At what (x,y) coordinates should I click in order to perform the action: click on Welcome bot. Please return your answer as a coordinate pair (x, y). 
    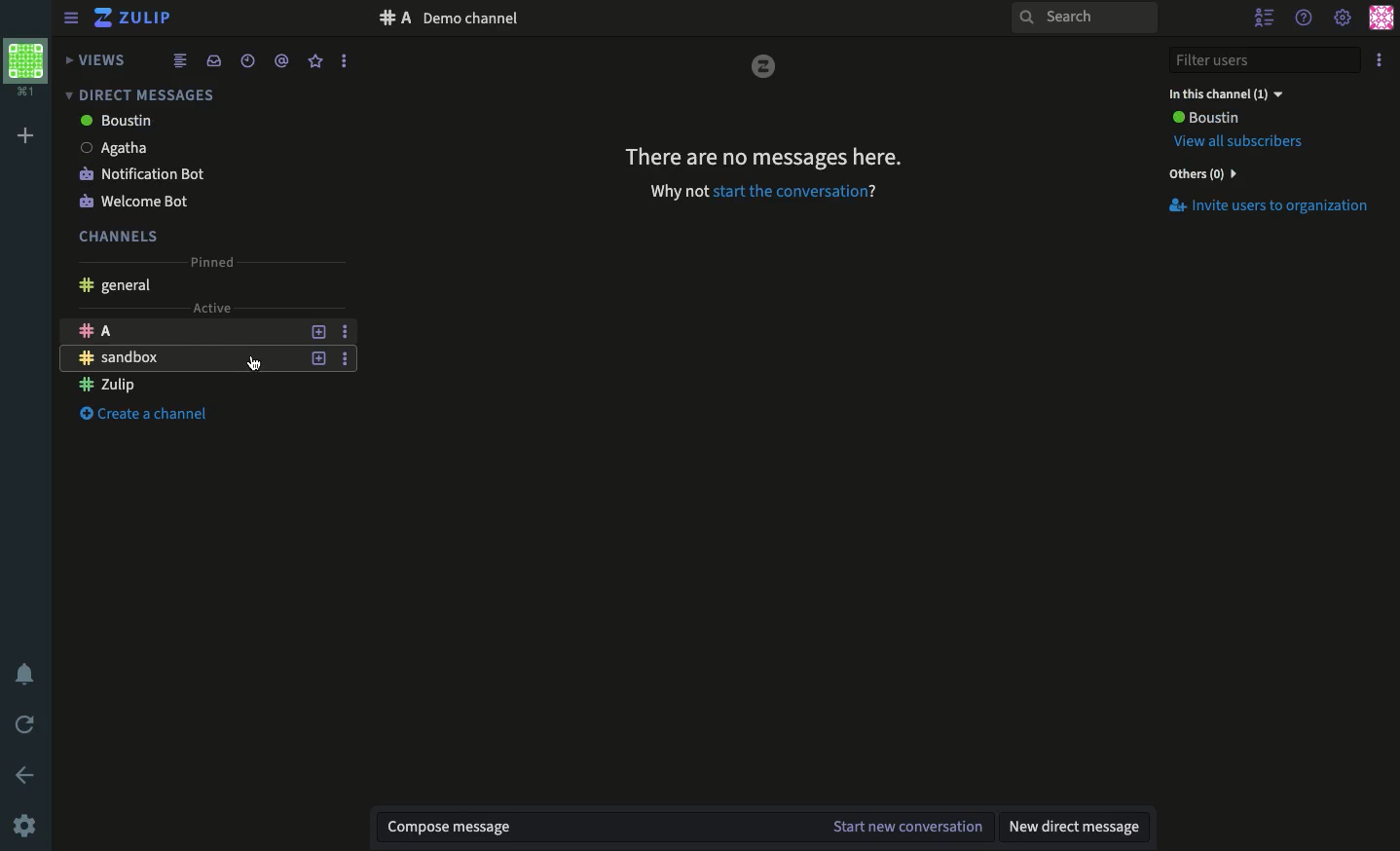
    Looking at the image, I should click on (184, 200).